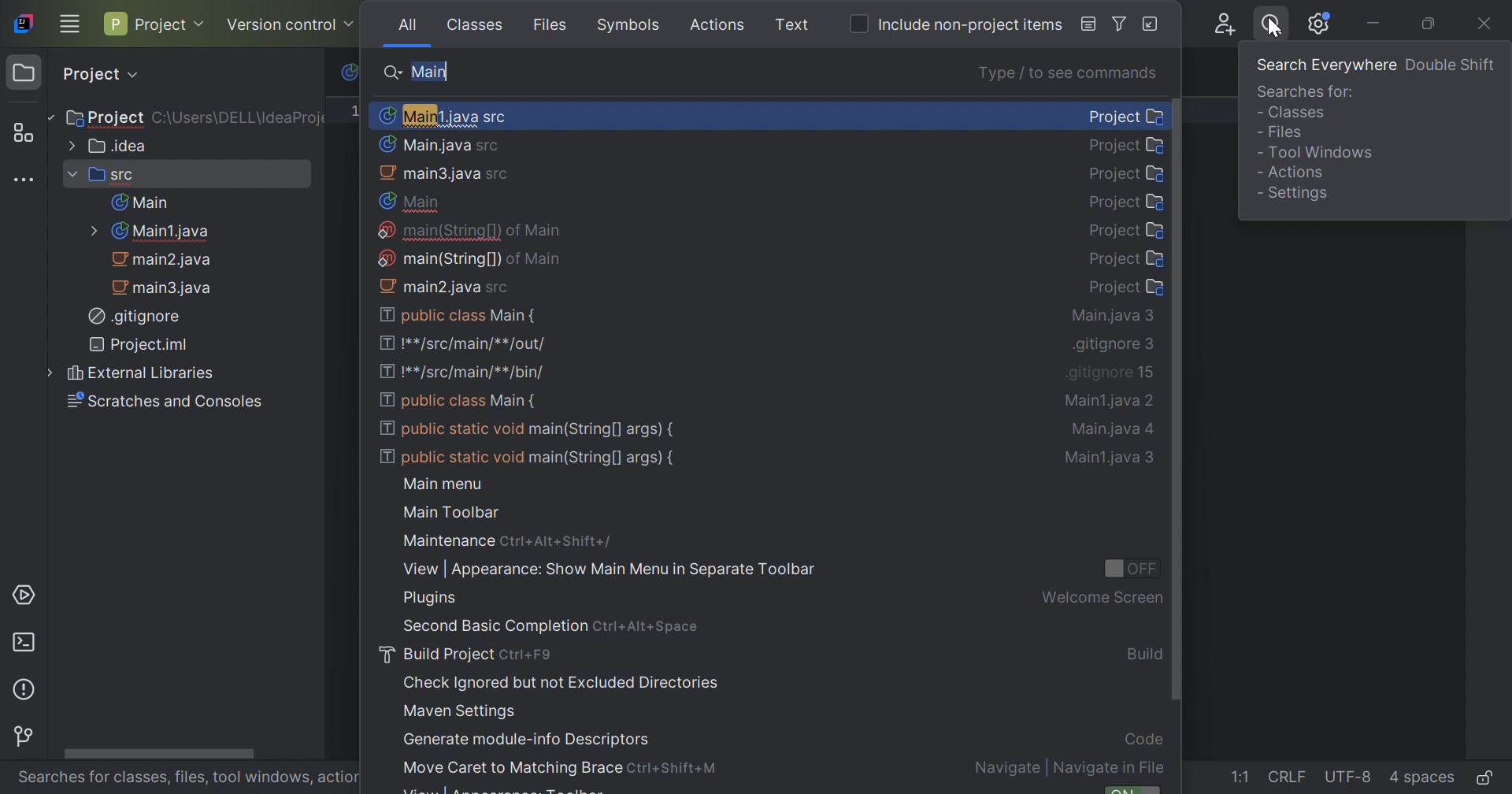 The height and width of the screenshot is (794, 1512). What do you see at coordinates (458, 315) in the screenshot?
I see `public class Main()` at bounding box center [458, 315].